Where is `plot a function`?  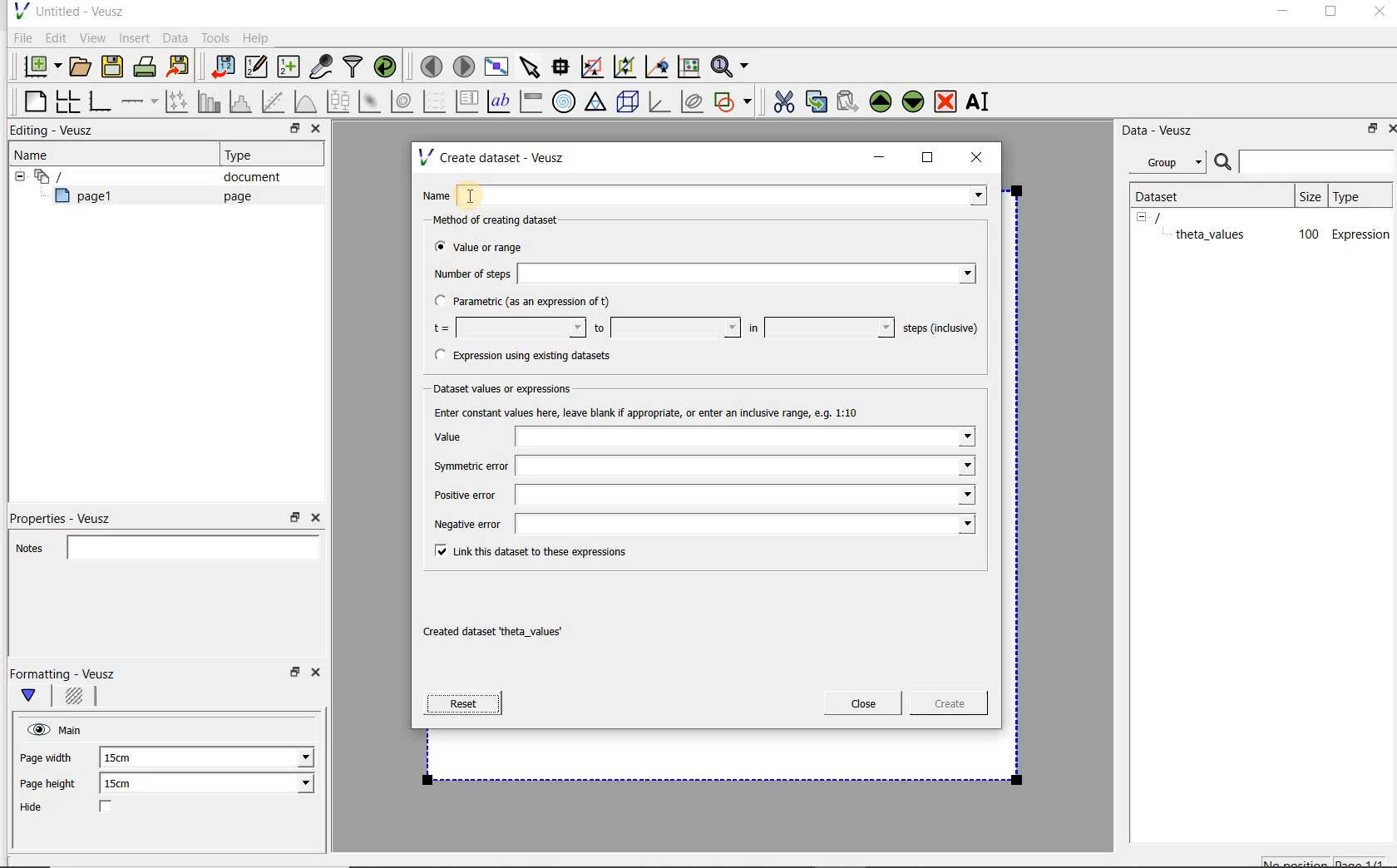 plot a function is located at coordinates (304, 101).